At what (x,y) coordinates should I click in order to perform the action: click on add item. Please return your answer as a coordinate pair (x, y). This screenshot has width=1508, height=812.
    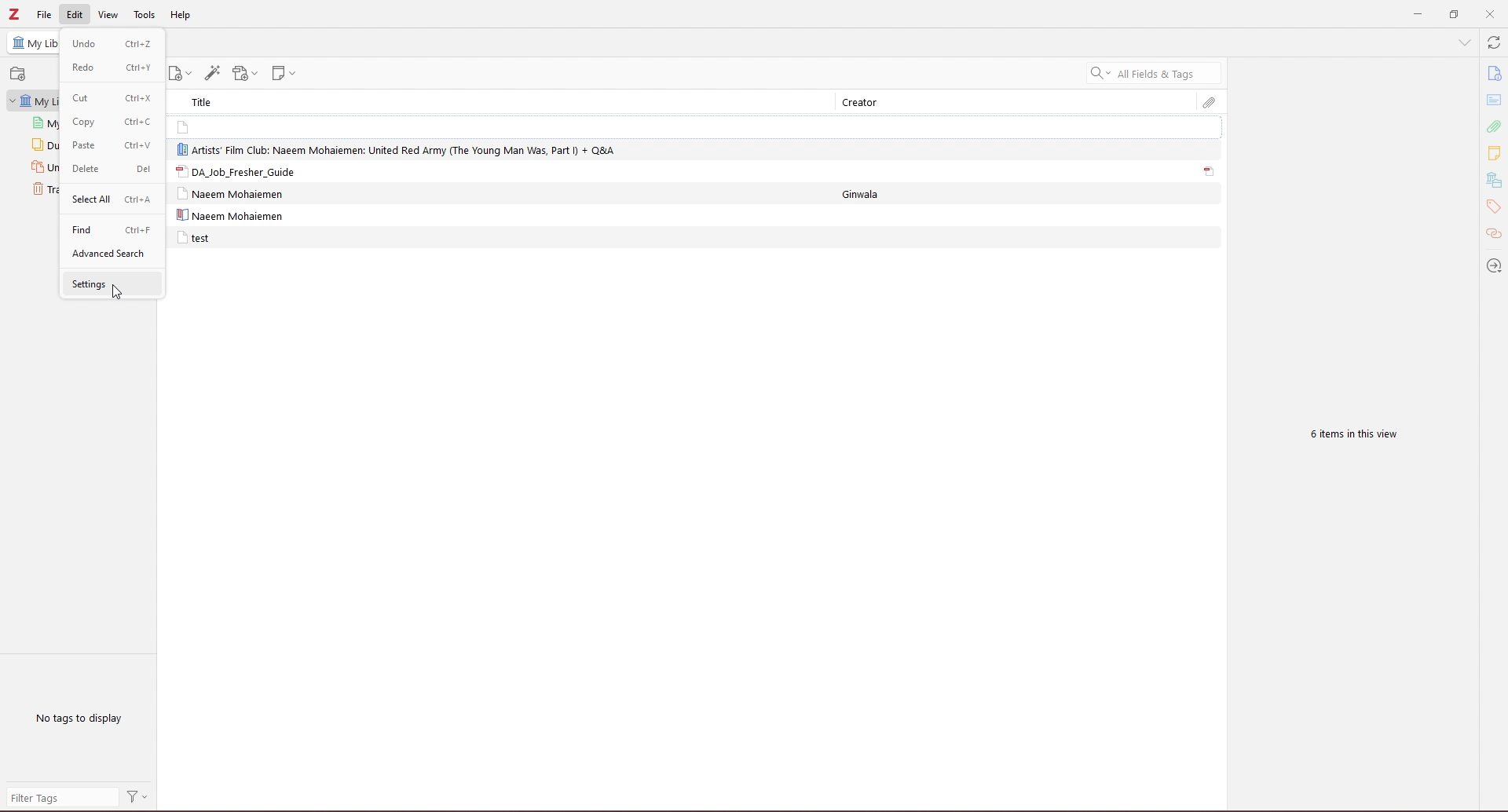
    Looking at the image, I should click on (20, 74).